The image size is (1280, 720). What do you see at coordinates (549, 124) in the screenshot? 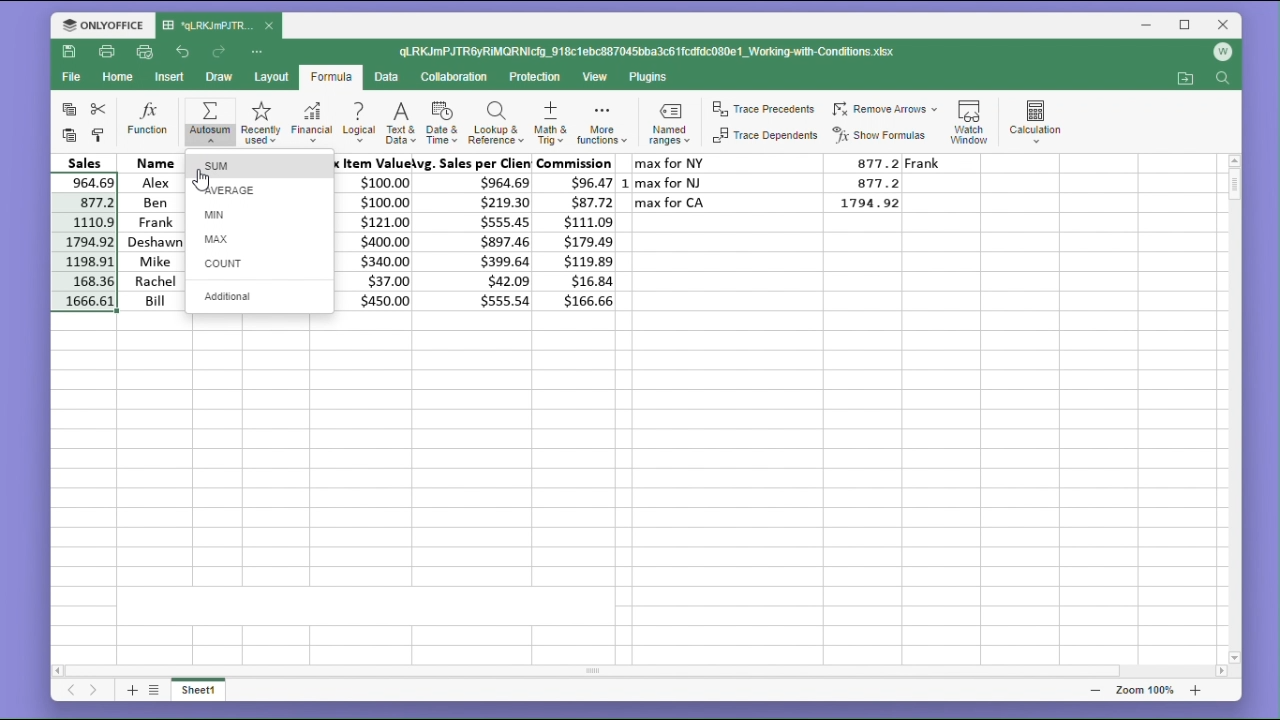
I see `maths & trig` at bounding box center [549, 124].